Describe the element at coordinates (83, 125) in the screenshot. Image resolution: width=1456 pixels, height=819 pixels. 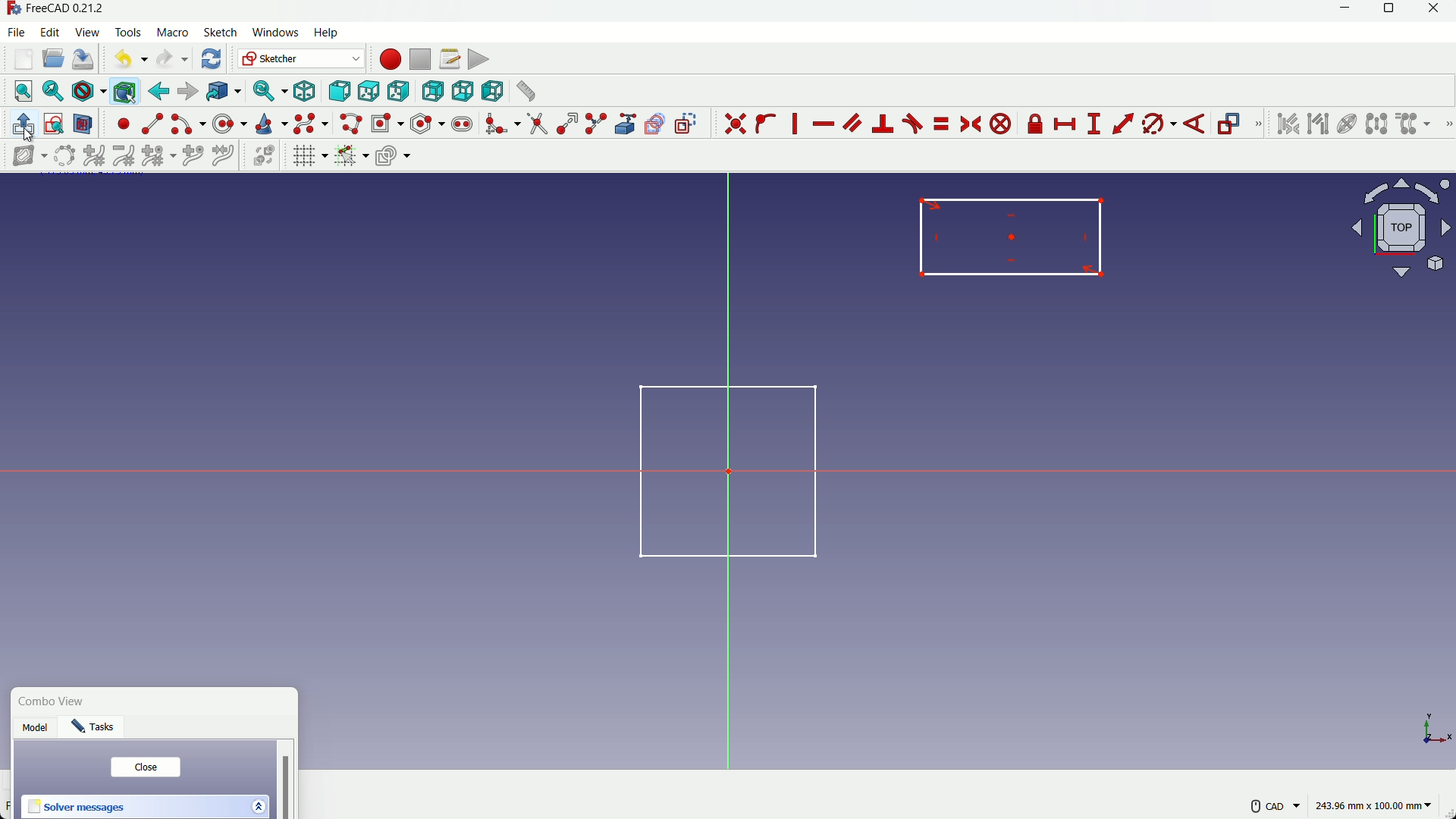
I see `view section` at that location.